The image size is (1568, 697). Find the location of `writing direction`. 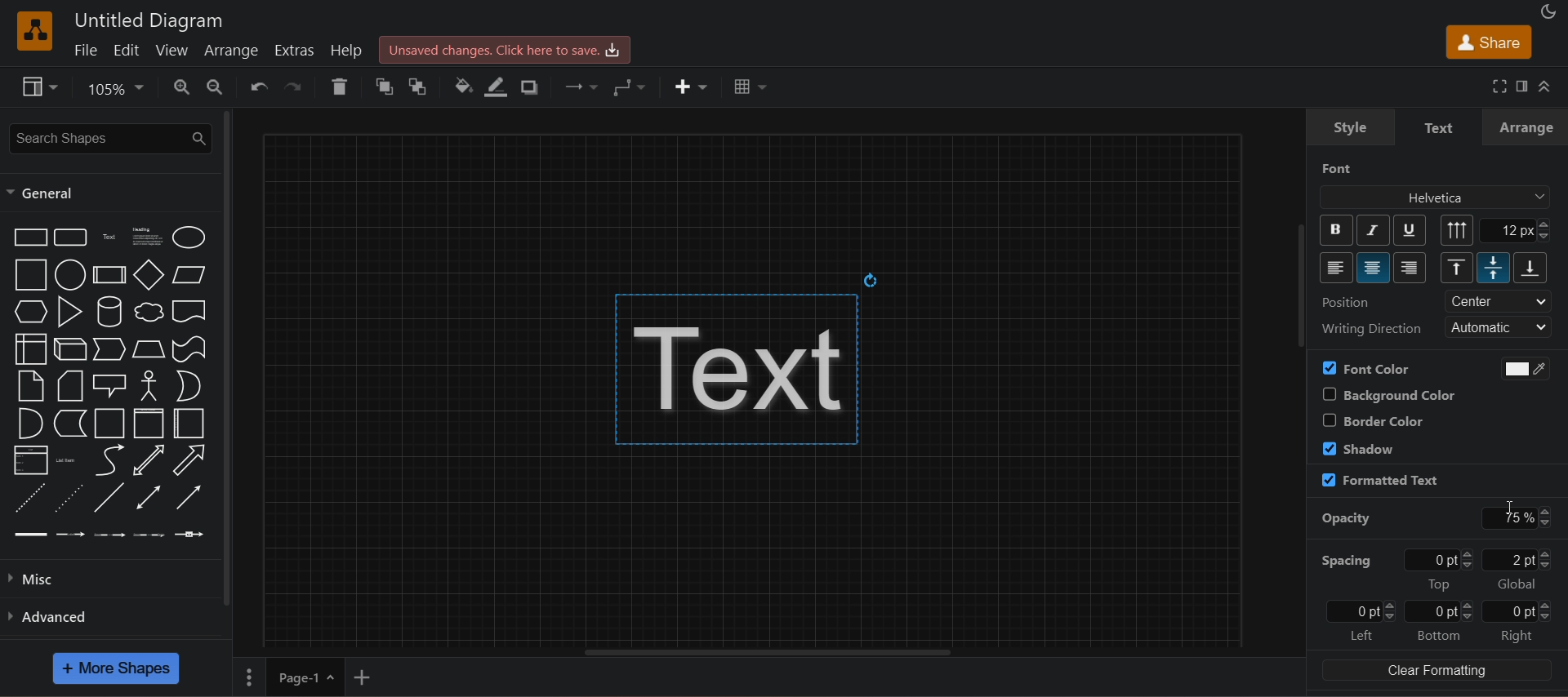

writing direction is located at coordinates (1370, 328).